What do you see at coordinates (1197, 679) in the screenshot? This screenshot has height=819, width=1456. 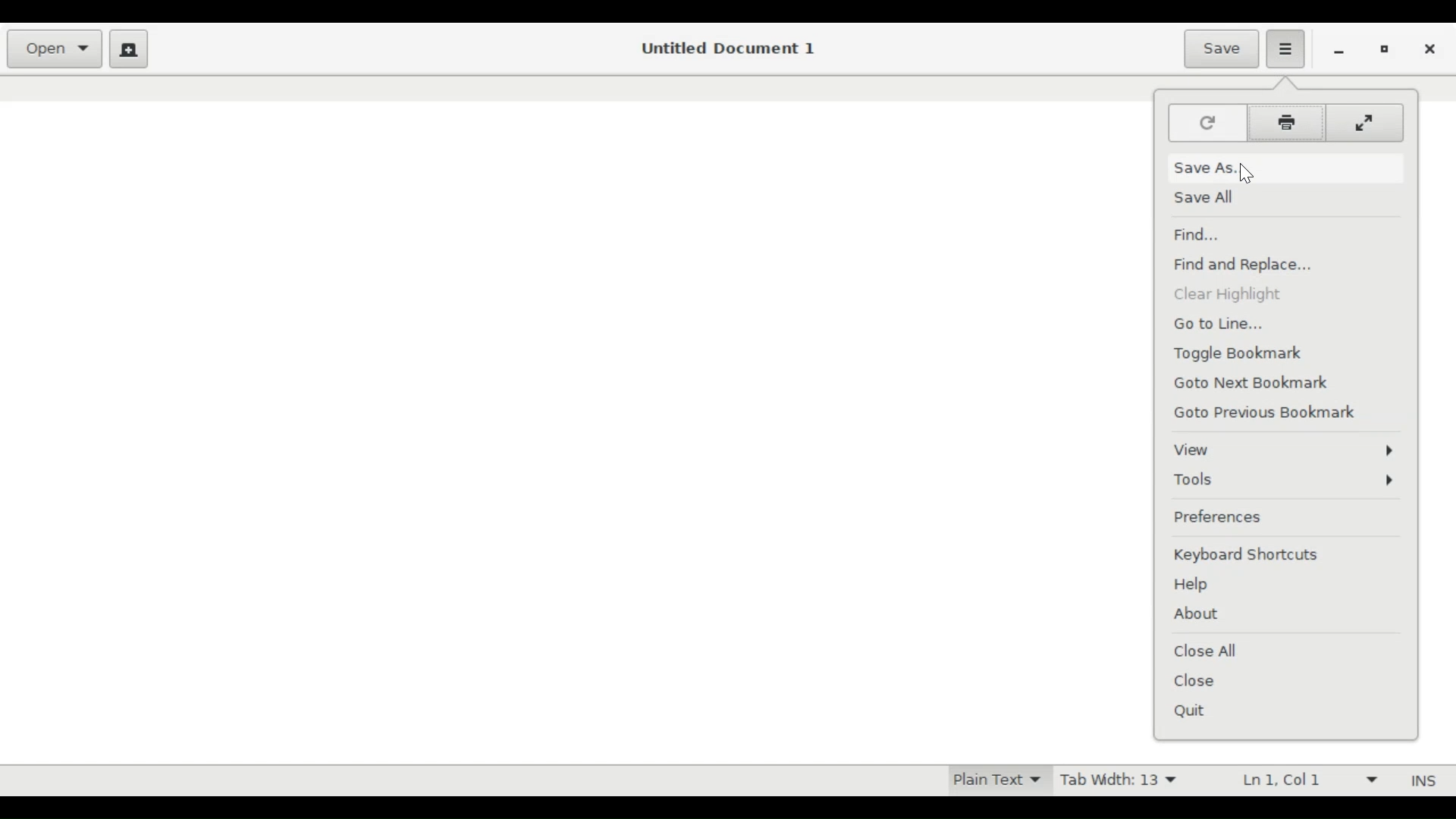 I see `Close` at bounding box center [1197, 679].